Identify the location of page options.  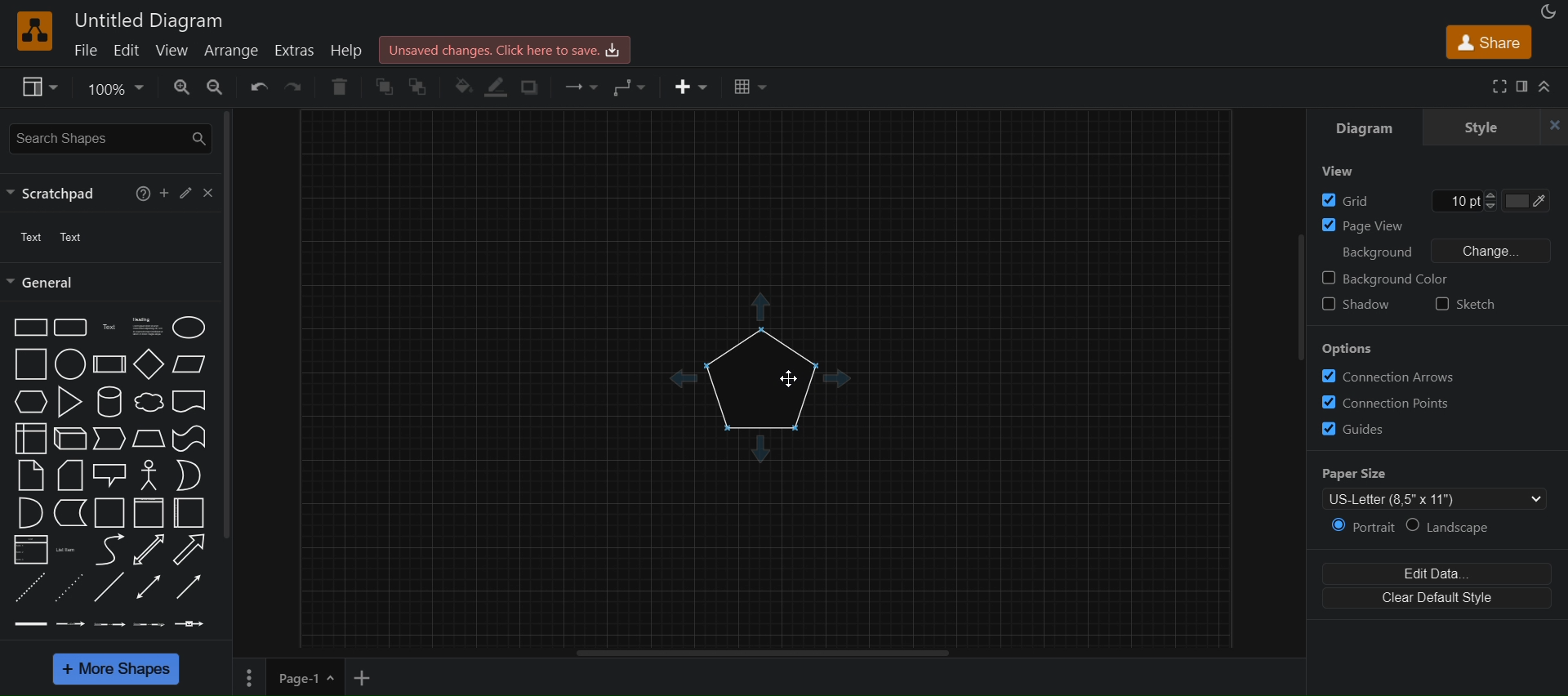
(331, 677).